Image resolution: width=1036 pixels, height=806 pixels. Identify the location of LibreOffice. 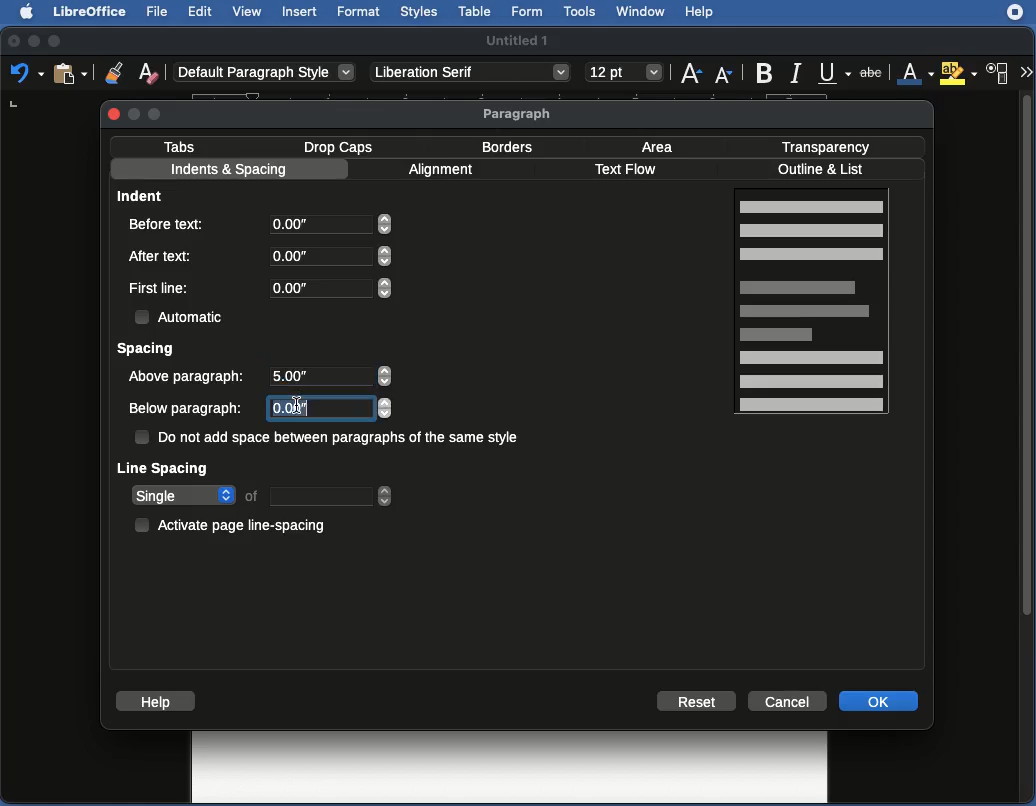
(87, 13).